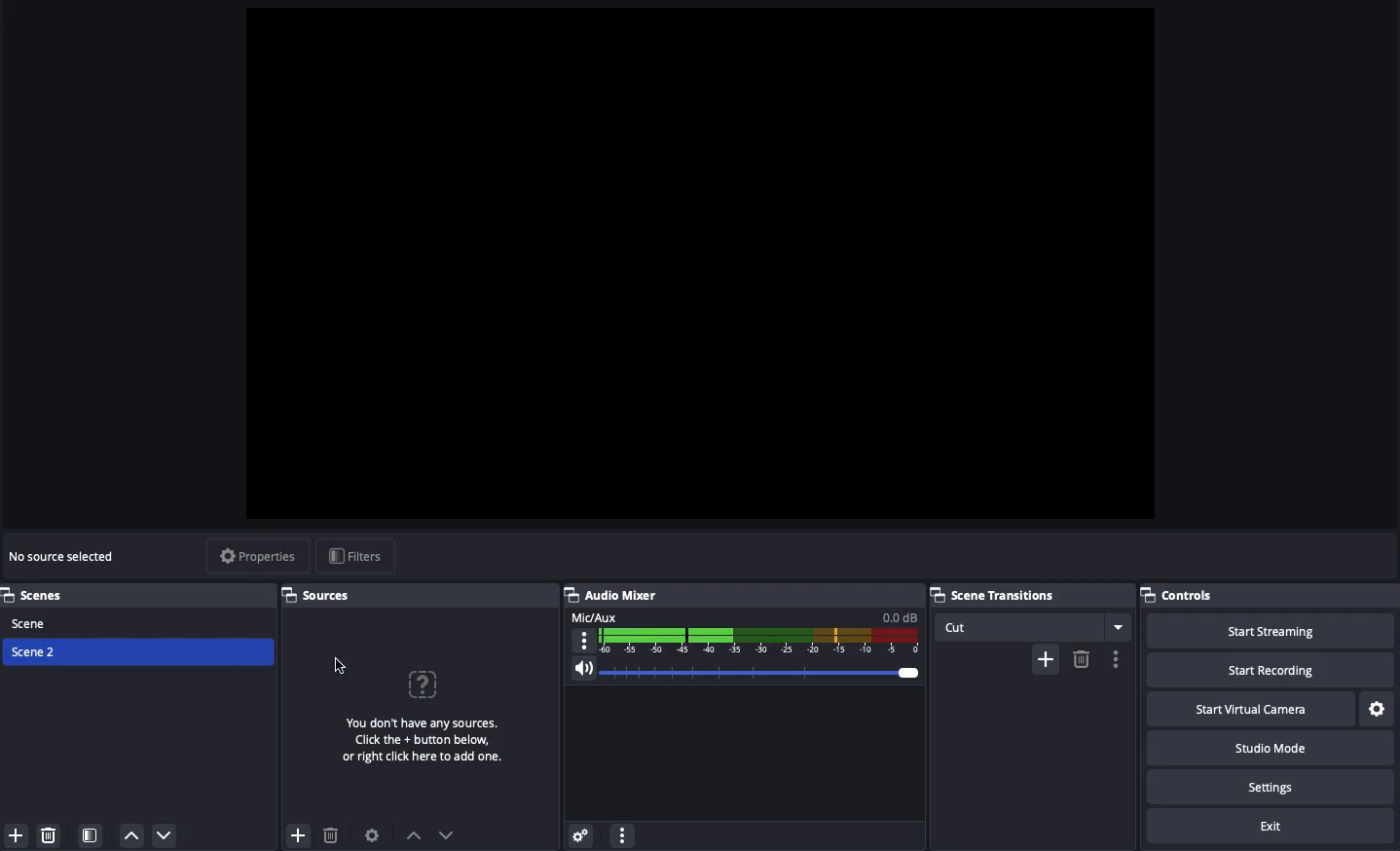 The height and width of the screenshot is (851, 1400). Describe the element at coordinates (354, 554) in the screenshot. I see `Filters` at that location.